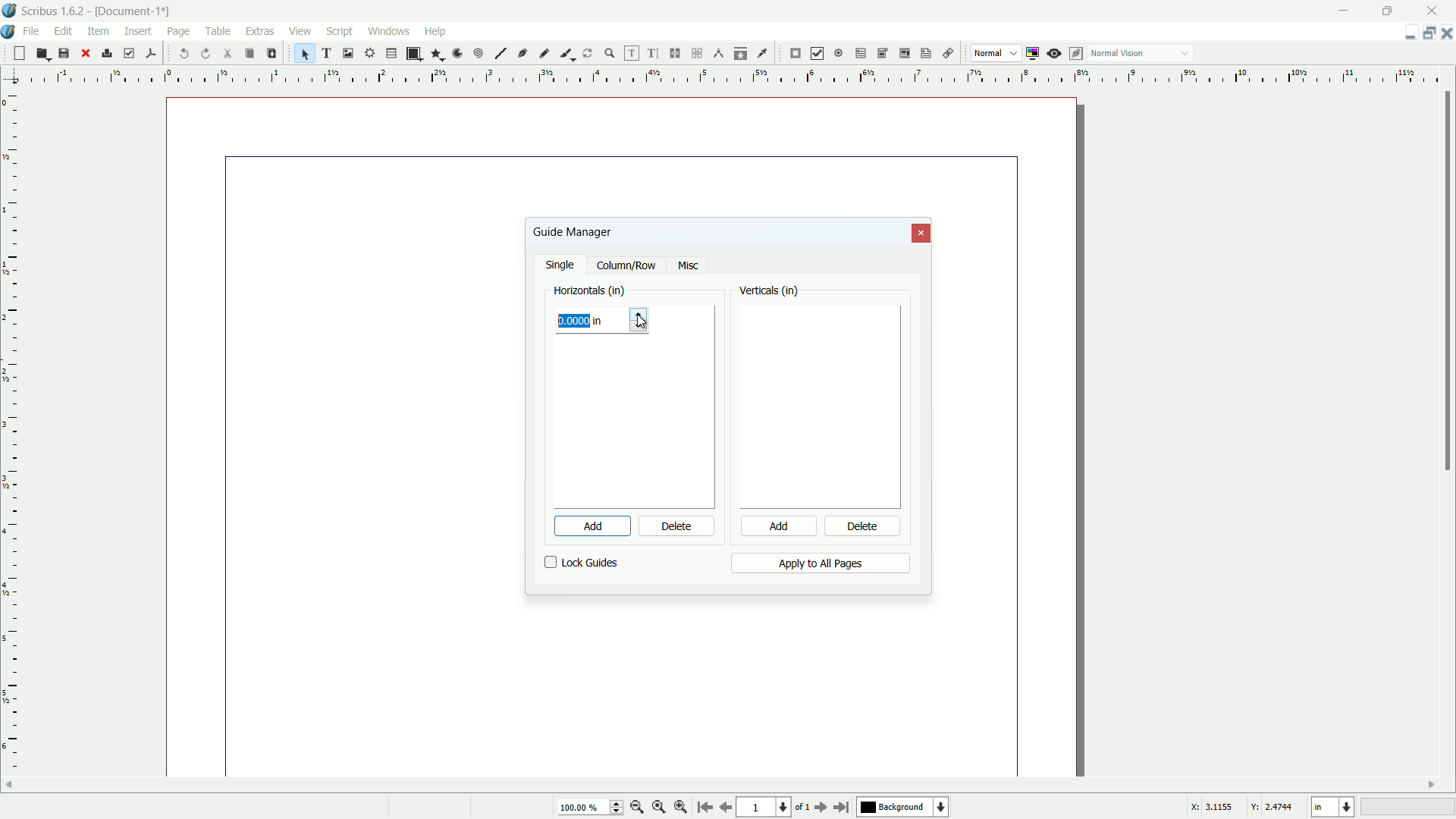 This screenshot has width=1456, height=819. What do you see at coordinates (987, 52) in the screenshot?
I see `normal` at bounding box center [987, 52].